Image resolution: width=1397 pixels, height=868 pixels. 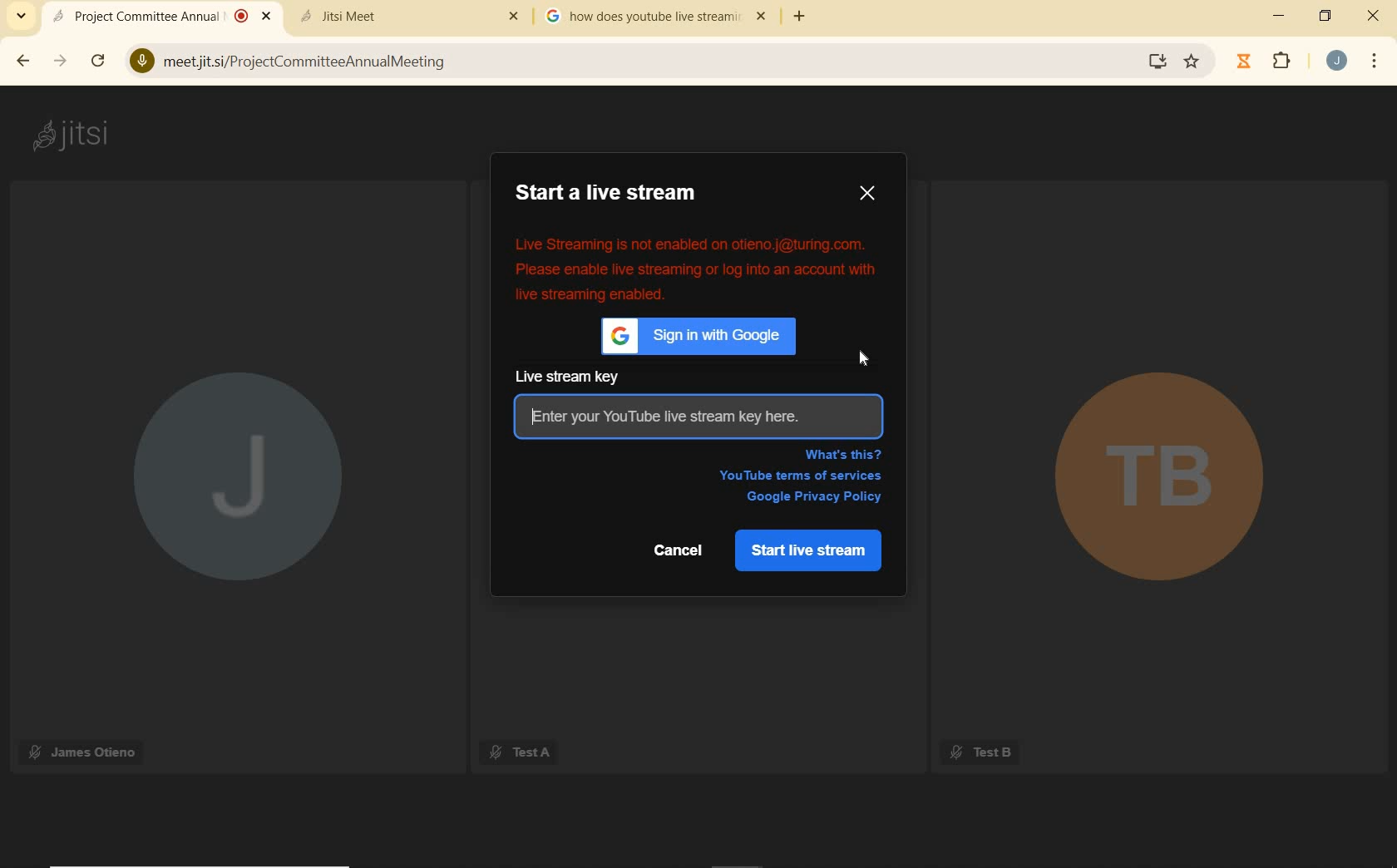 What do you see at coordinates (86, 142) in the screenshot?
I see `jitsi` at bounding box center [86, 142].